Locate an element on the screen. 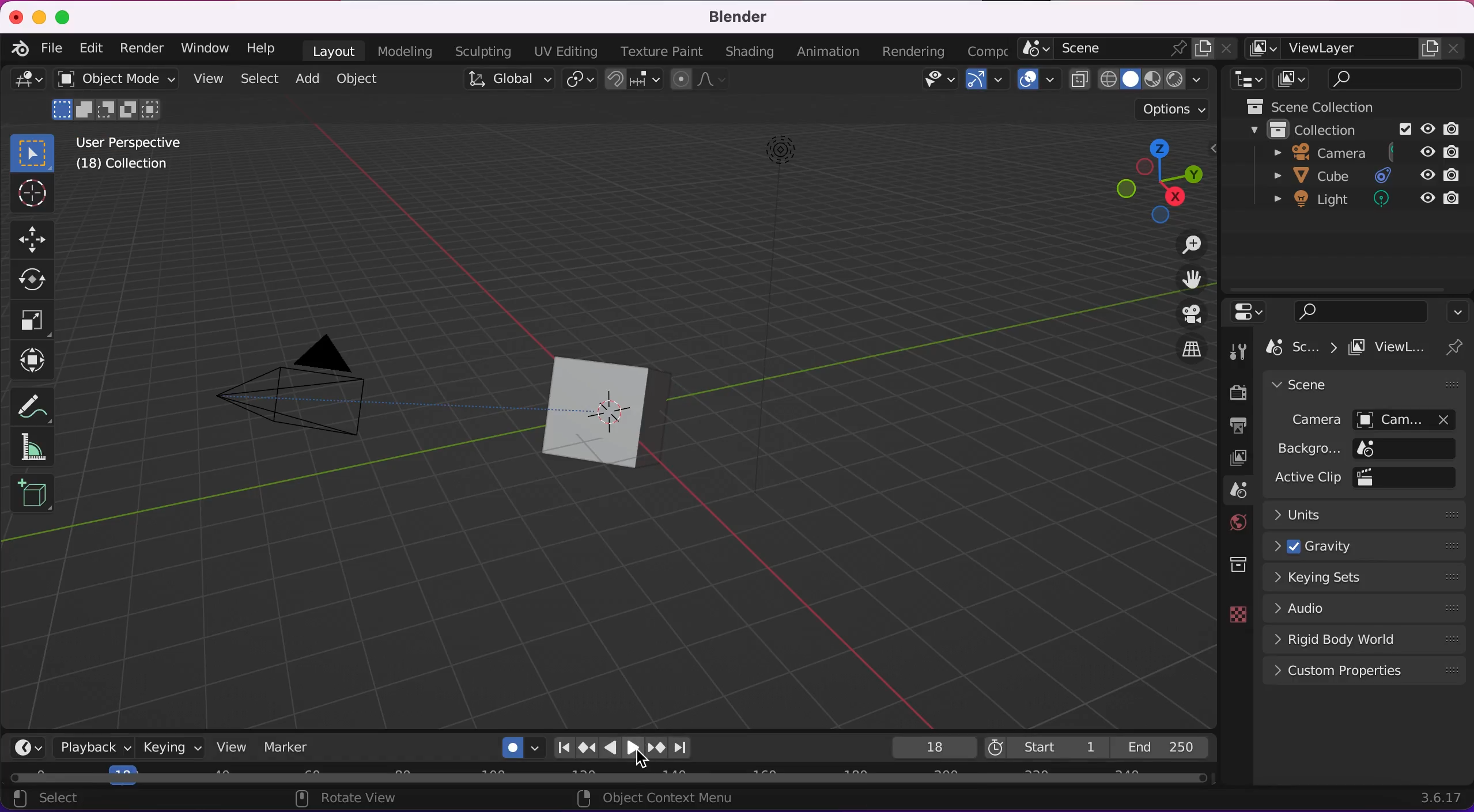  annotate is located at coordinates (29, 403).